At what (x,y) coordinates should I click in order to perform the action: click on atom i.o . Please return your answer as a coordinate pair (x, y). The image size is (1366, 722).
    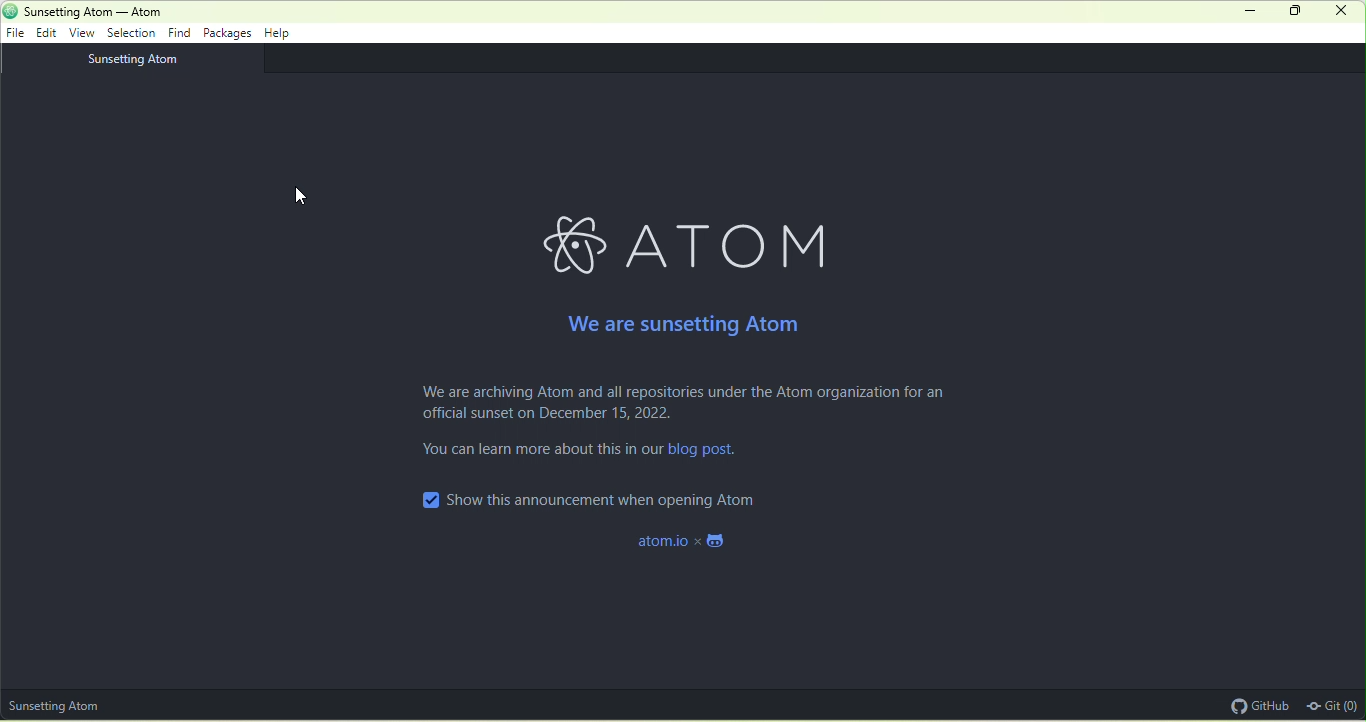
    Looking at the image, I should click on (695, 545).